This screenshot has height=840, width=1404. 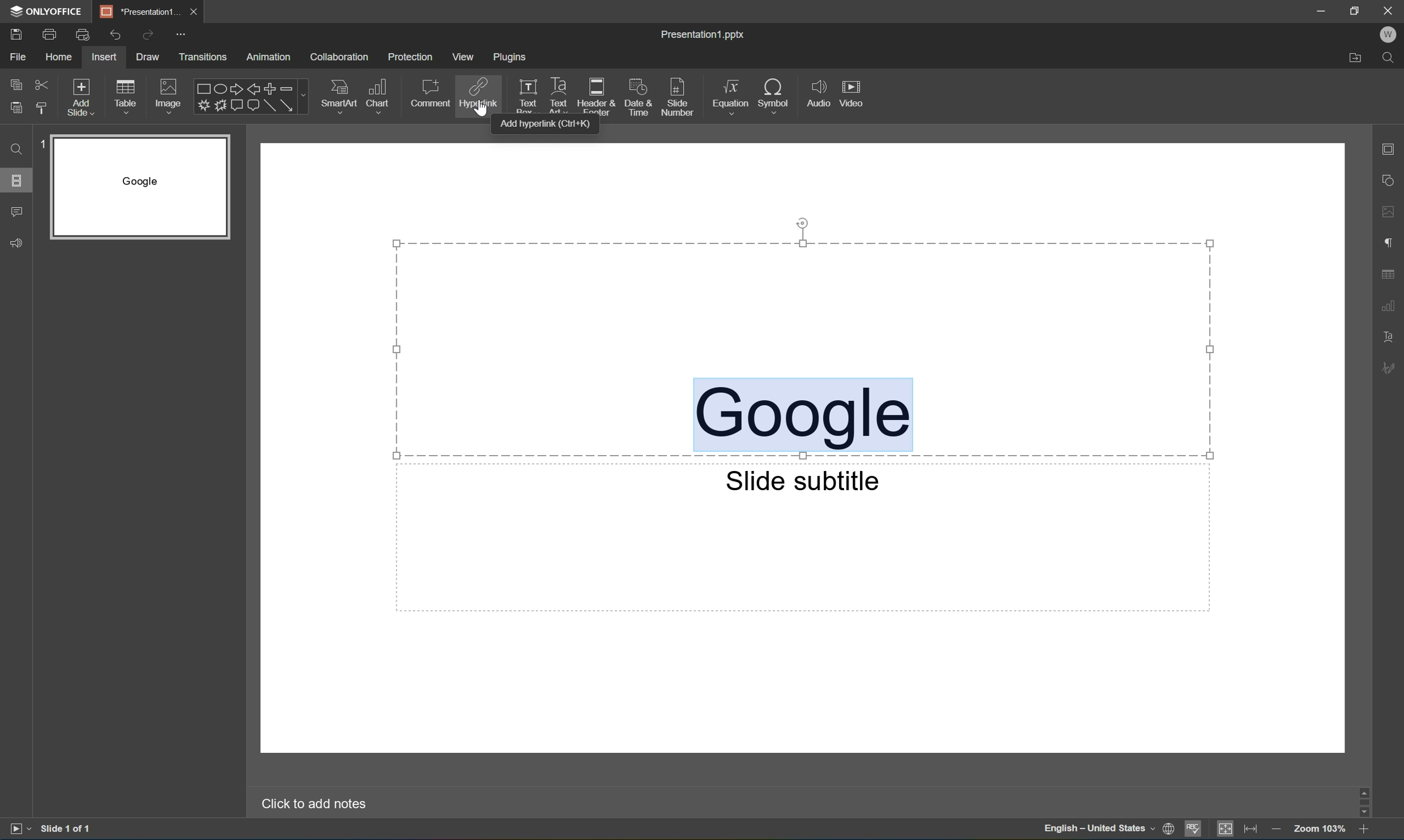 I want to click on Feedback and support, so click(x=16, y=242).